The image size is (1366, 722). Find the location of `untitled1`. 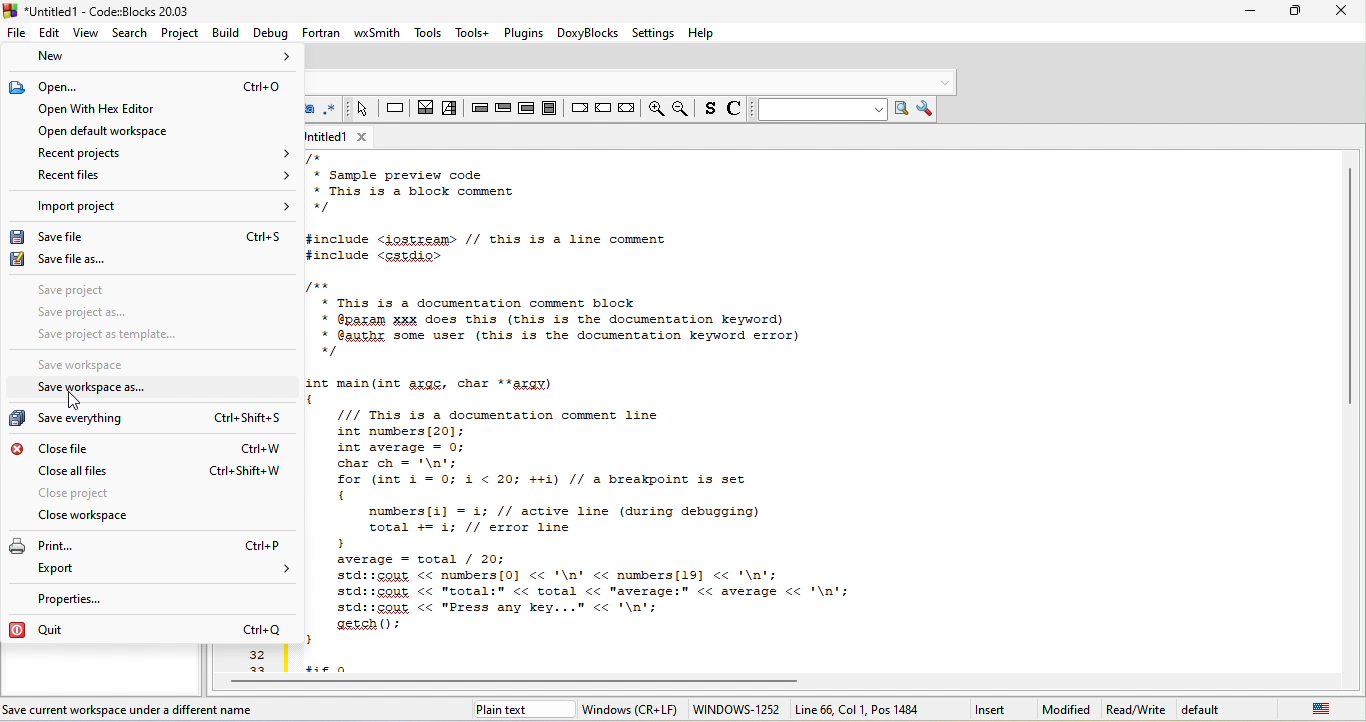

untitled1 is located at coordinates (325, 136).